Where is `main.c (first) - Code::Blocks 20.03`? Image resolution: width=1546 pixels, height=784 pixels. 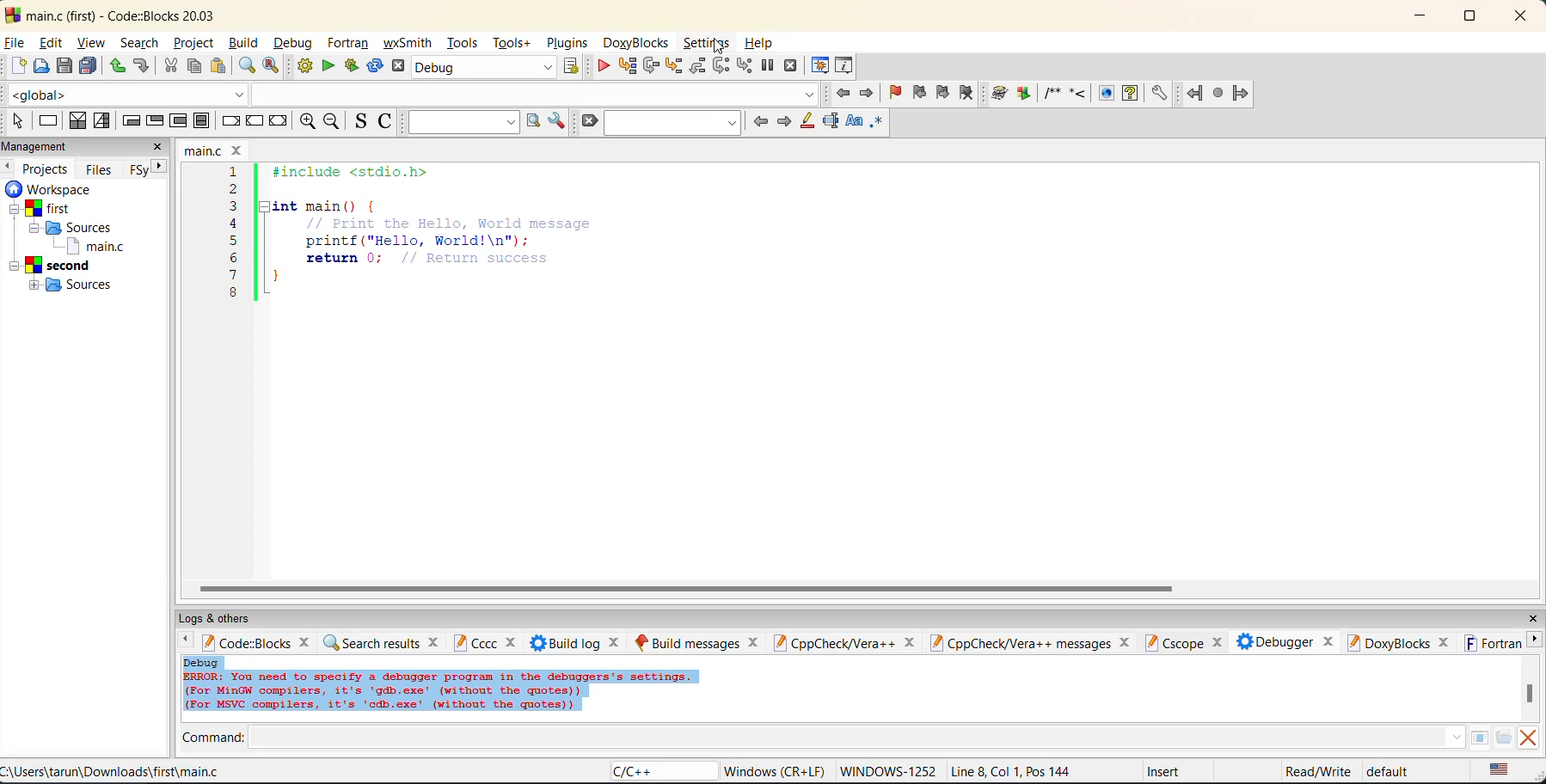 main.c (first) - Code::Blocks 20.03 is located at coordinates (116, 15).